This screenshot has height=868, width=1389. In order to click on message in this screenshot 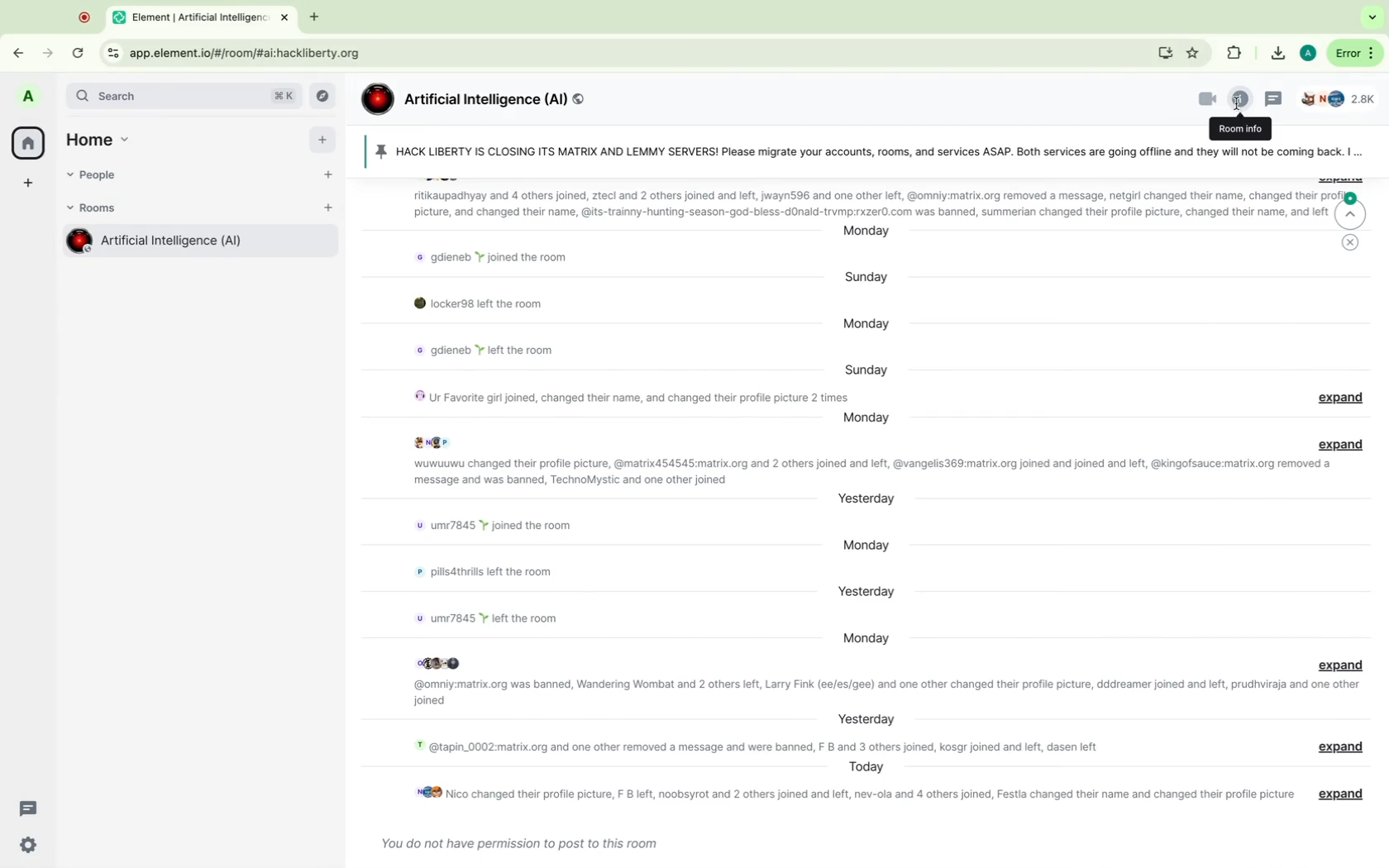, I will do `click(489, 349)`.